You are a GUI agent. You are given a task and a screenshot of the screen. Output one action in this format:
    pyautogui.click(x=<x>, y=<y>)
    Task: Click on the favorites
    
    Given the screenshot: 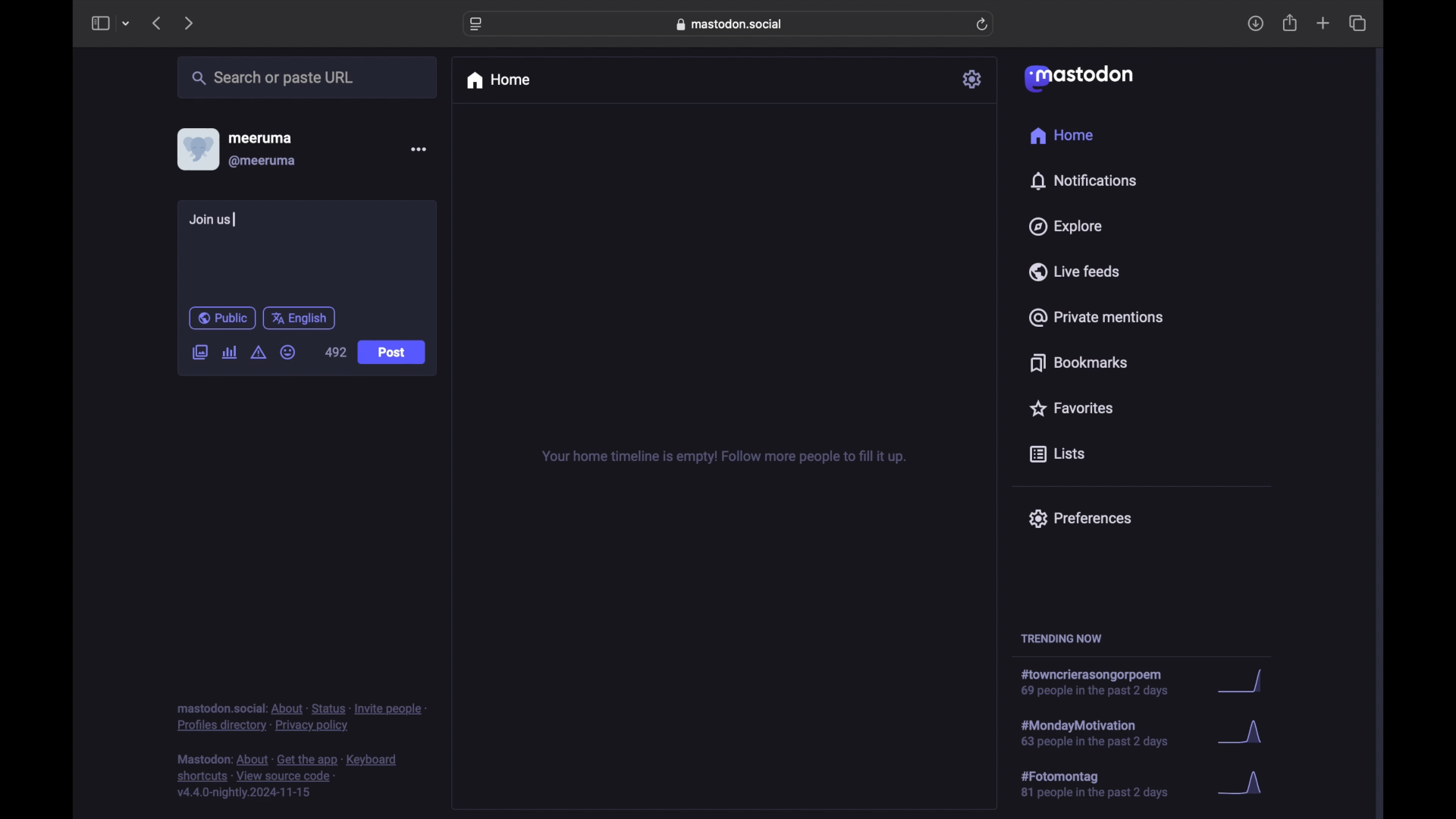 What is the action you would take?
    pyautogui.click(x=1070, y=408)
    